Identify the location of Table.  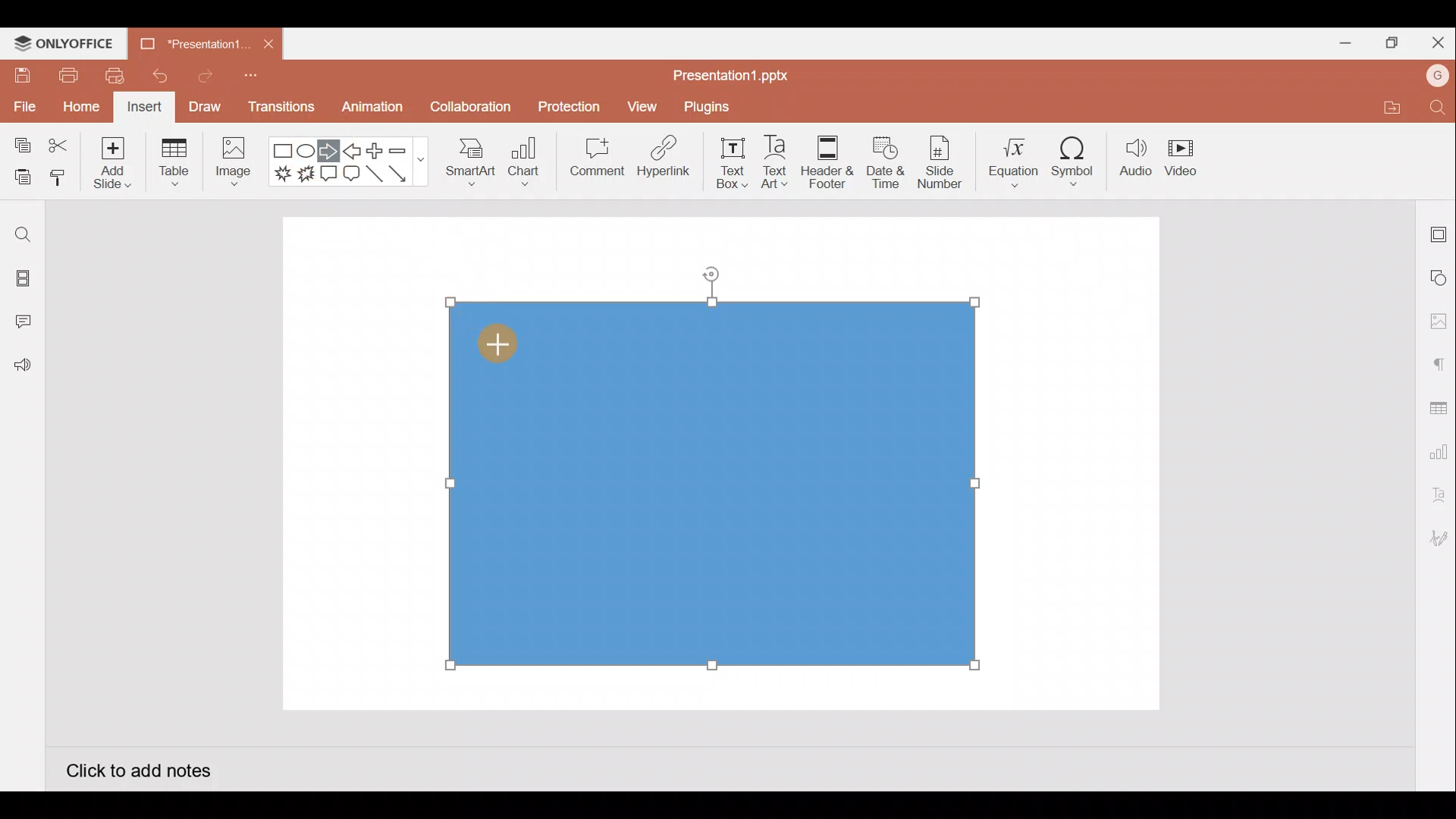
(176, 164).